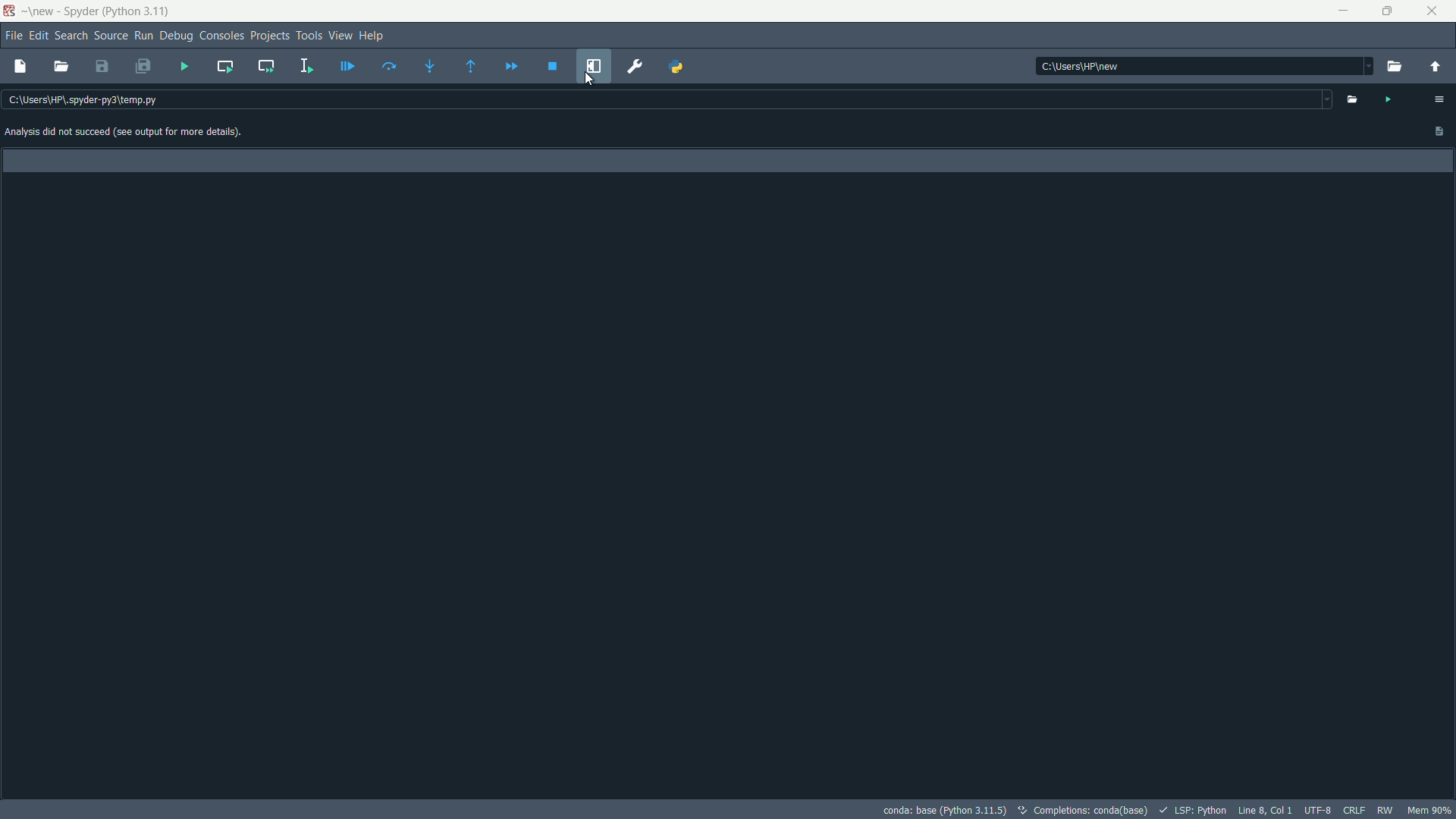 This screenshot has height=819, width=1456. What do you see at coordinates (1345, 11) in the screenshot?
I see `minimize` at bounding box center [1345, 11].